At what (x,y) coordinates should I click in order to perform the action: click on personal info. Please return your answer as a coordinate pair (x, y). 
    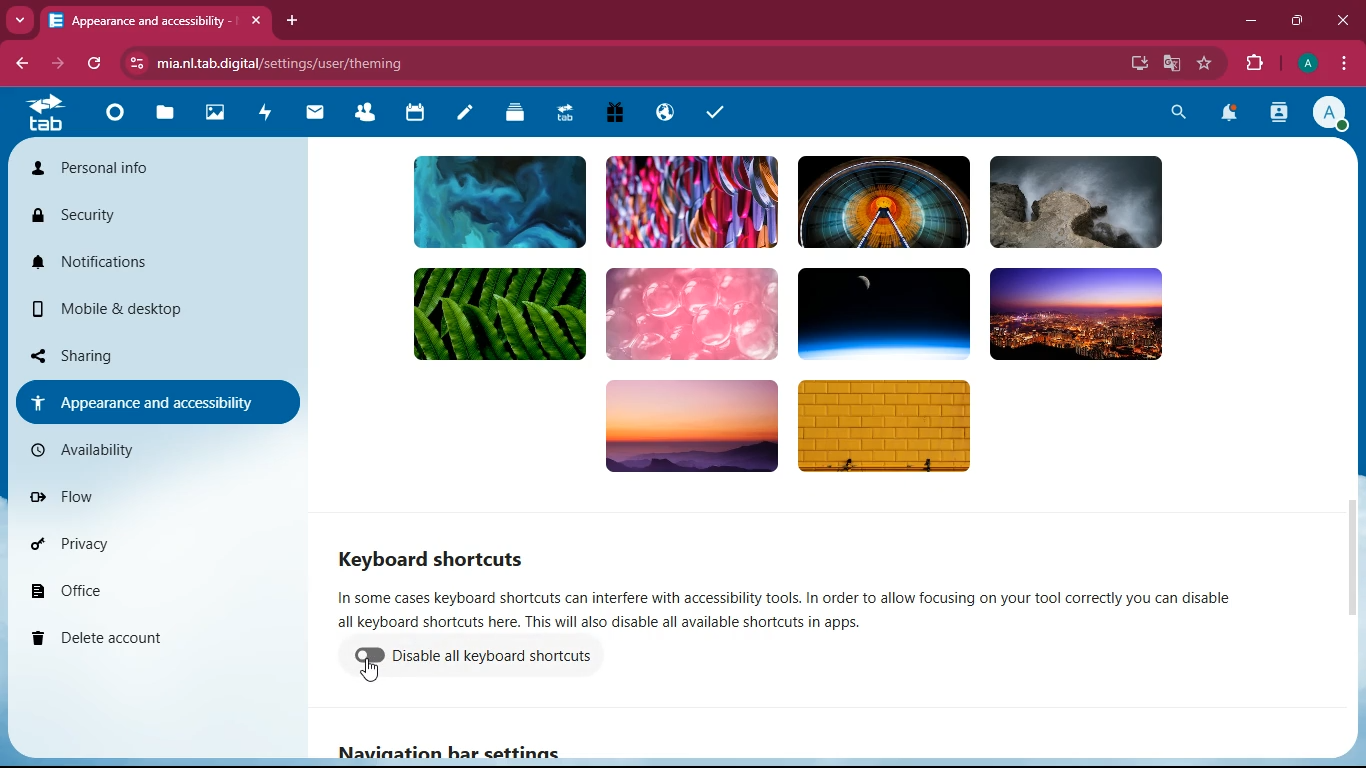
    Looking at the image, I should click on (129, 168).